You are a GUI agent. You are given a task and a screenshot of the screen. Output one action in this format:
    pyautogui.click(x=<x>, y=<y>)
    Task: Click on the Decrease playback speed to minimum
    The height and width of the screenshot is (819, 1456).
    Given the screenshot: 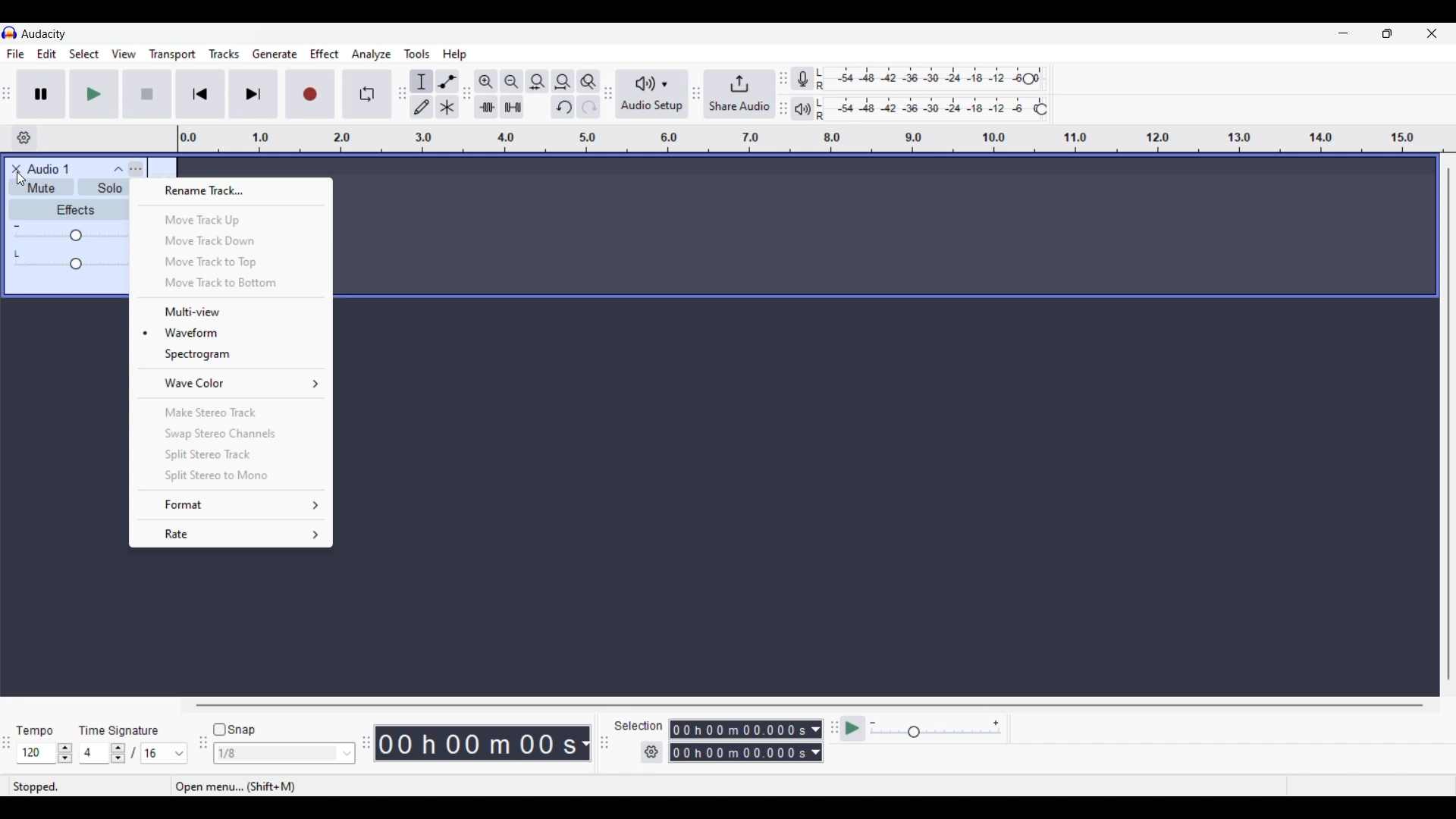 What is the action you would take?
    pyautogui.click(x=873, y=723)
    